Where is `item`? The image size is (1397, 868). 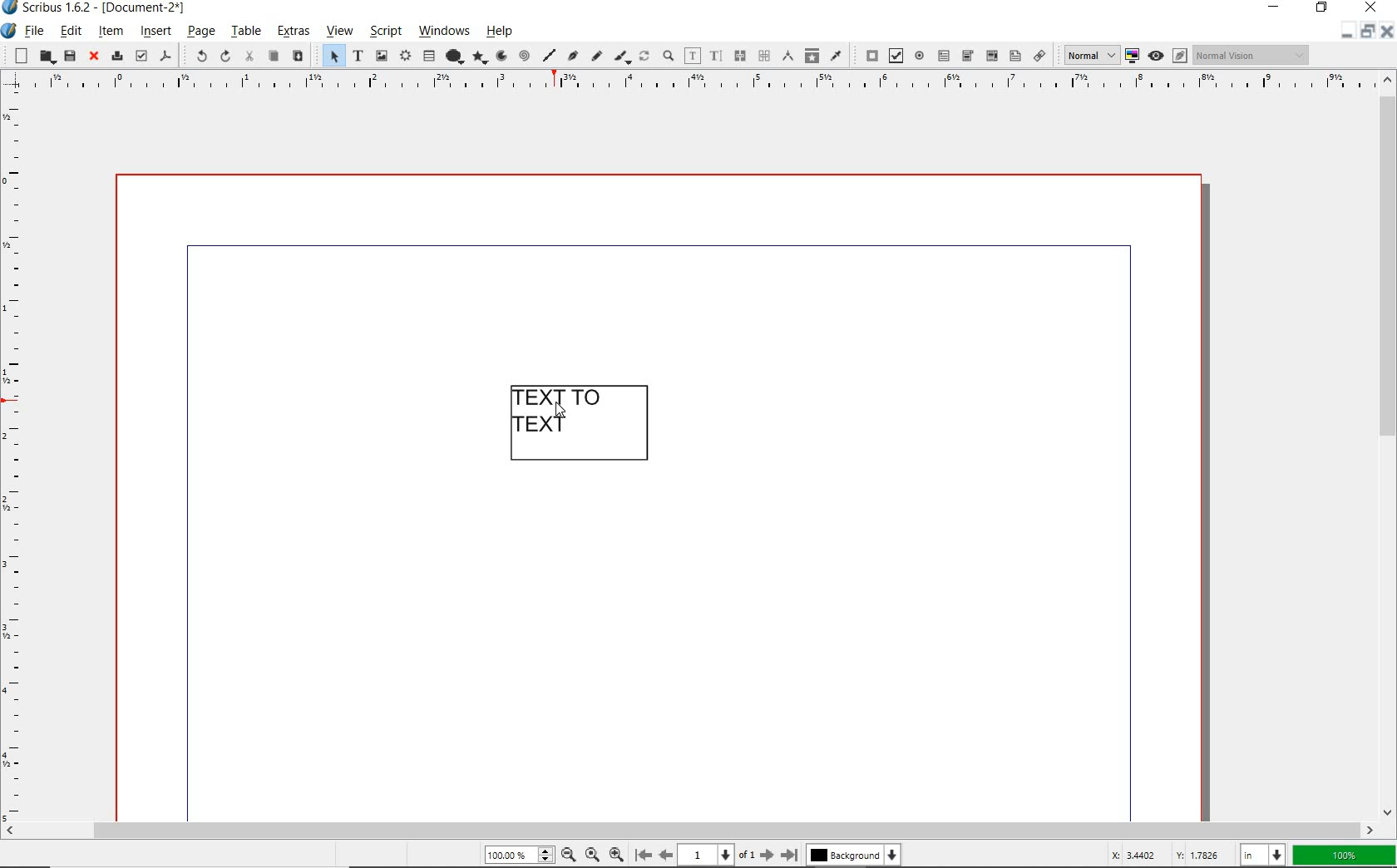 item is located at coordinates (109, 32).